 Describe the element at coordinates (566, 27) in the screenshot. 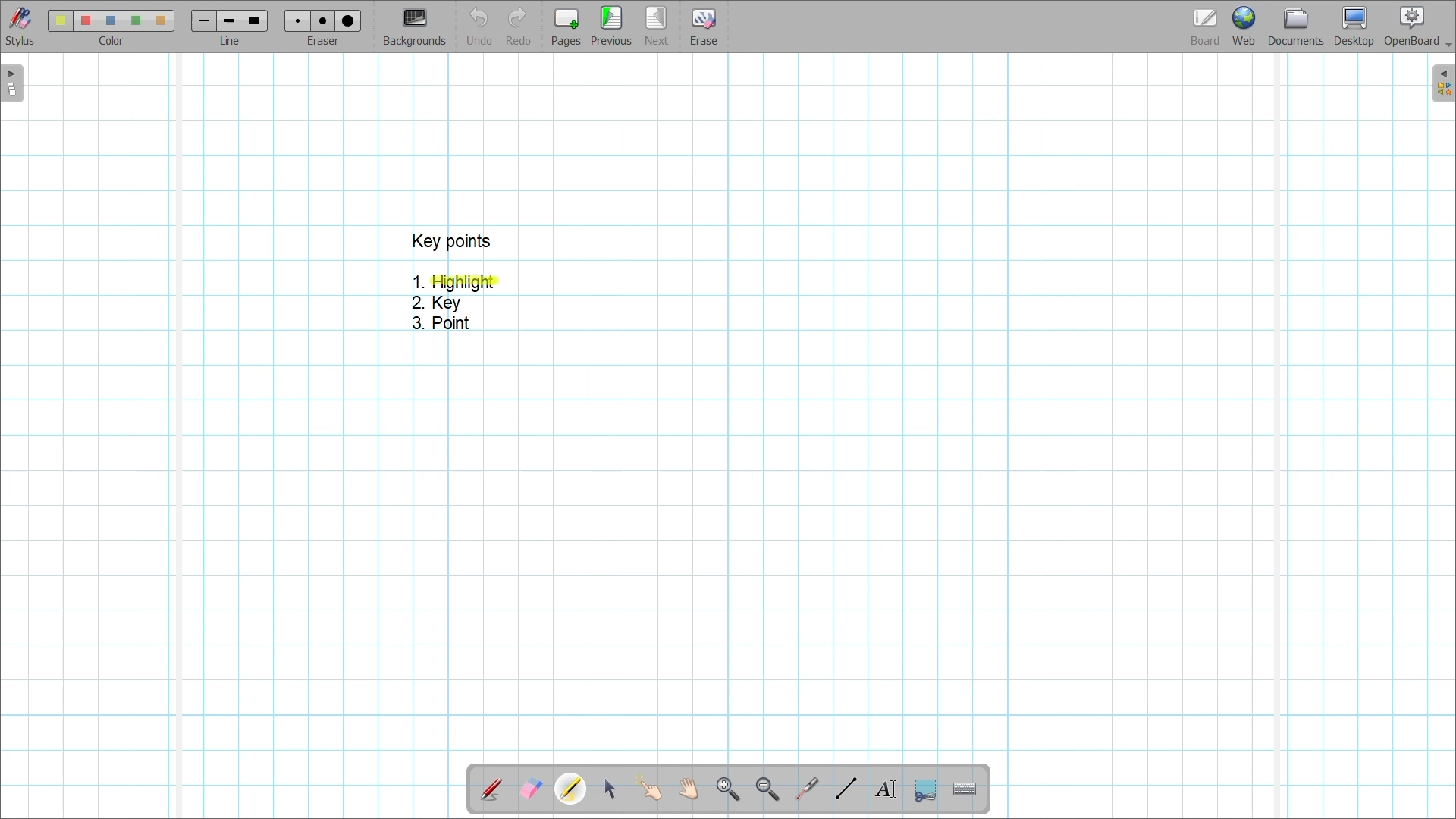

I see `Add page` at that location.